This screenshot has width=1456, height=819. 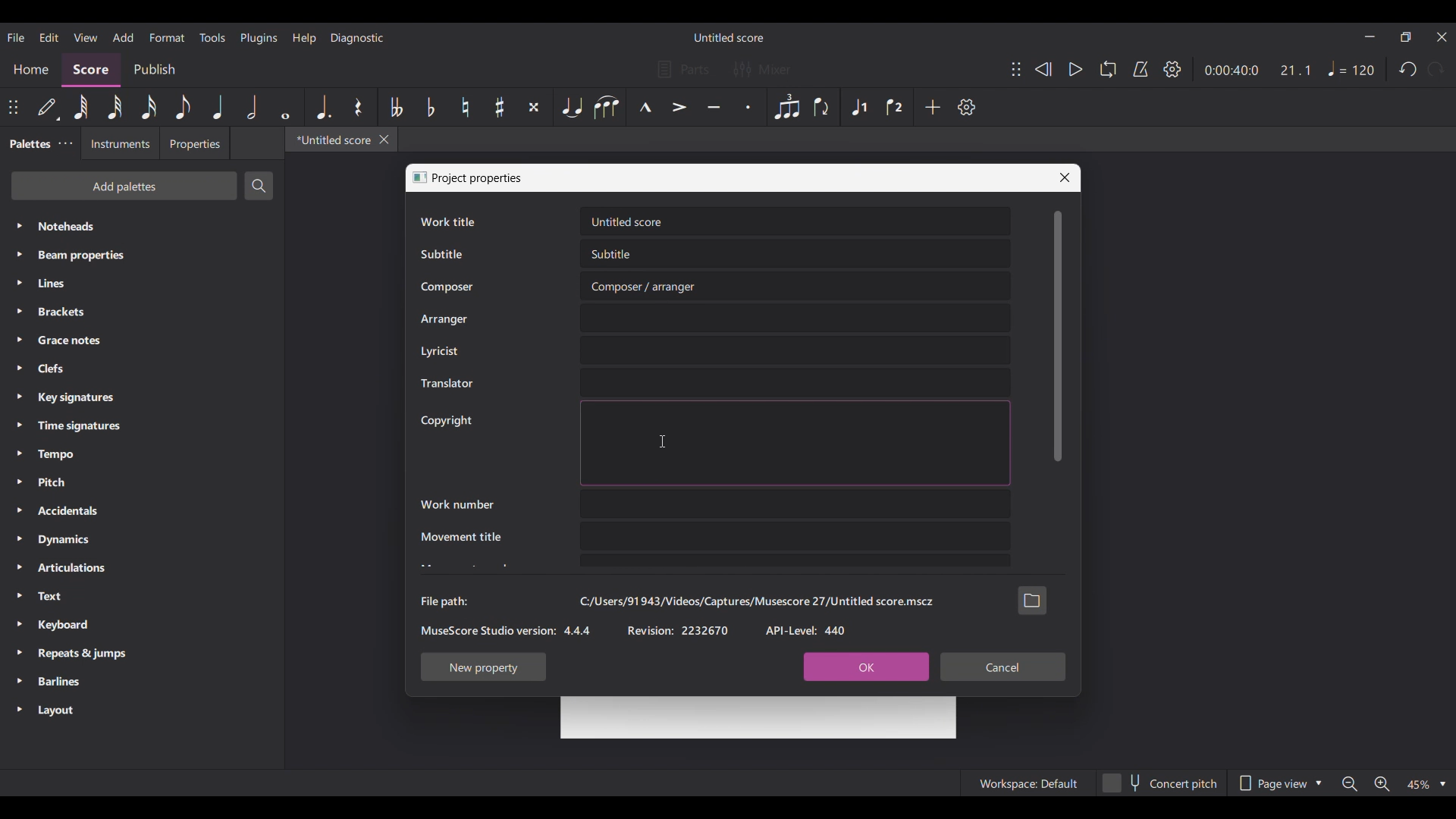 What do you see at coordinates (896, 107) in the screenshot?
I see `Voice 2` at bounding box center [896, 107].